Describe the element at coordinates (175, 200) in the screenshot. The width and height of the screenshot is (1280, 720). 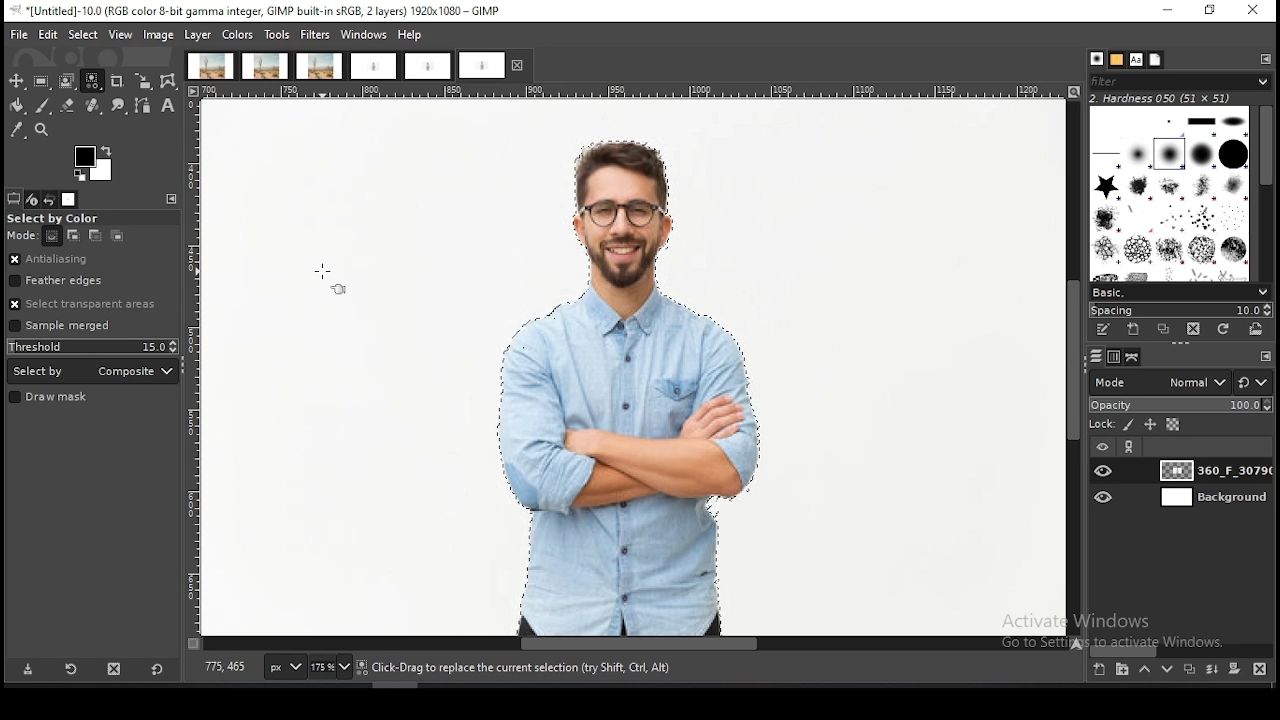
I see `configure this tab` at that location.